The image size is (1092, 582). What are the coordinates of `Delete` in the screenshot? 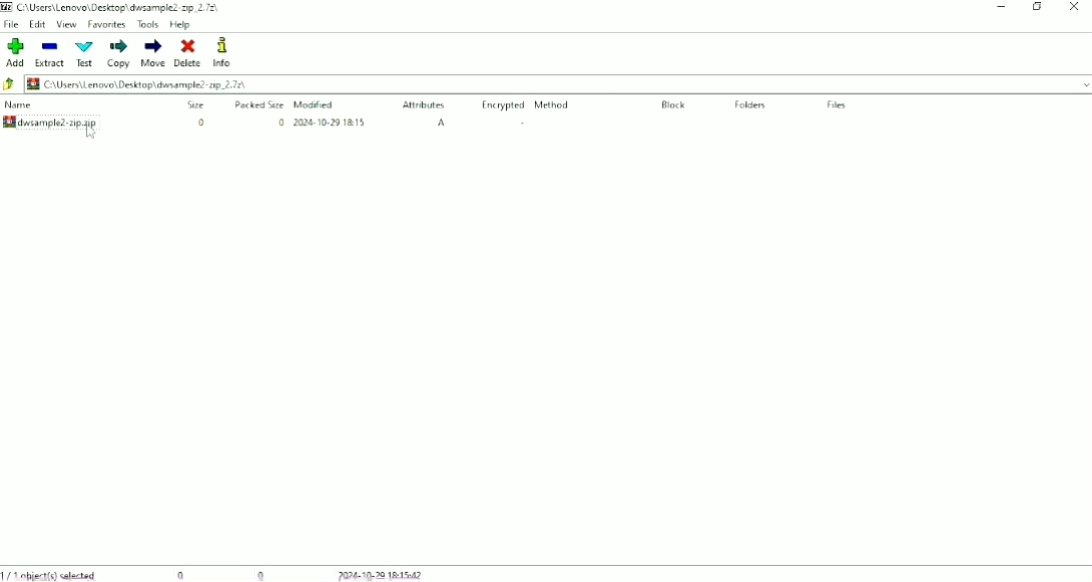 It's located at (187, 53).